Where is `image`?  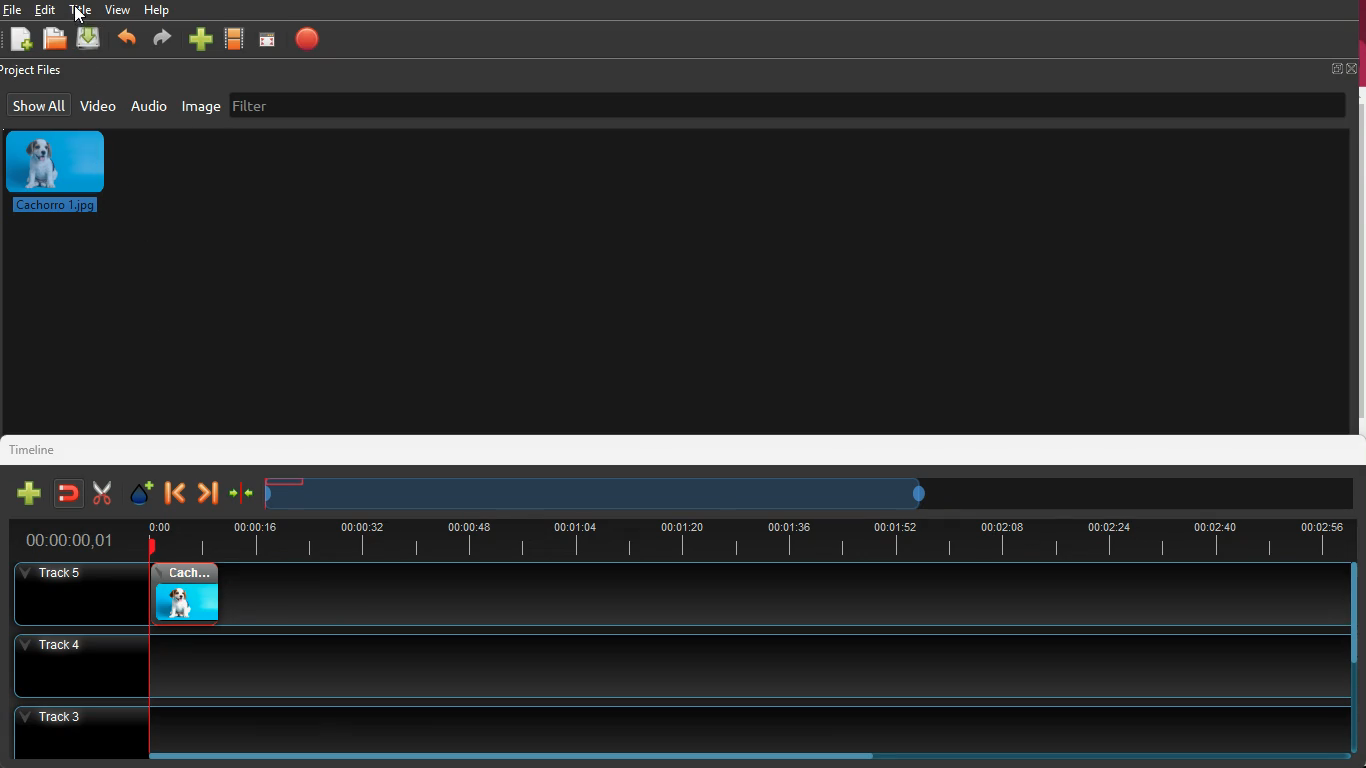
image is located at coordinates (202, 106).